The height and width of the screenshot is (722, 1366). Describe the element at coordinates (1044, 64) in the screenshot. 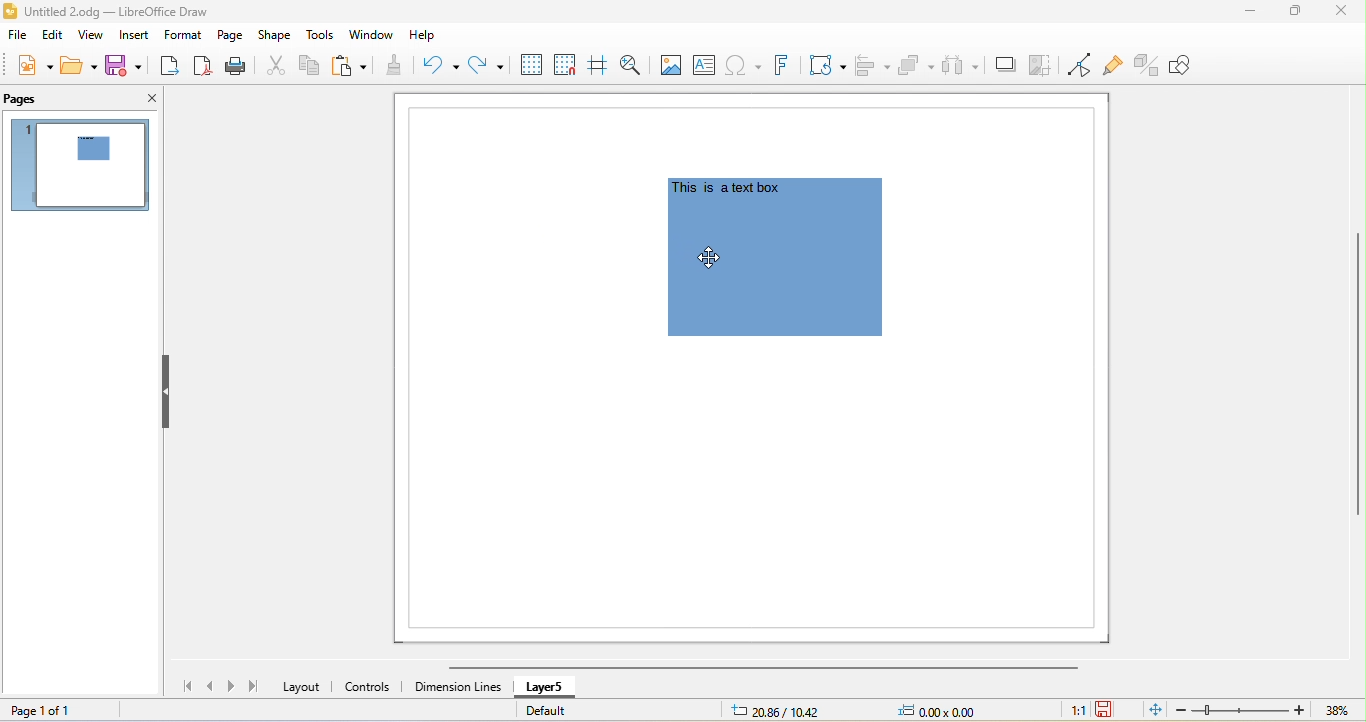

I see `crop image` at that location.